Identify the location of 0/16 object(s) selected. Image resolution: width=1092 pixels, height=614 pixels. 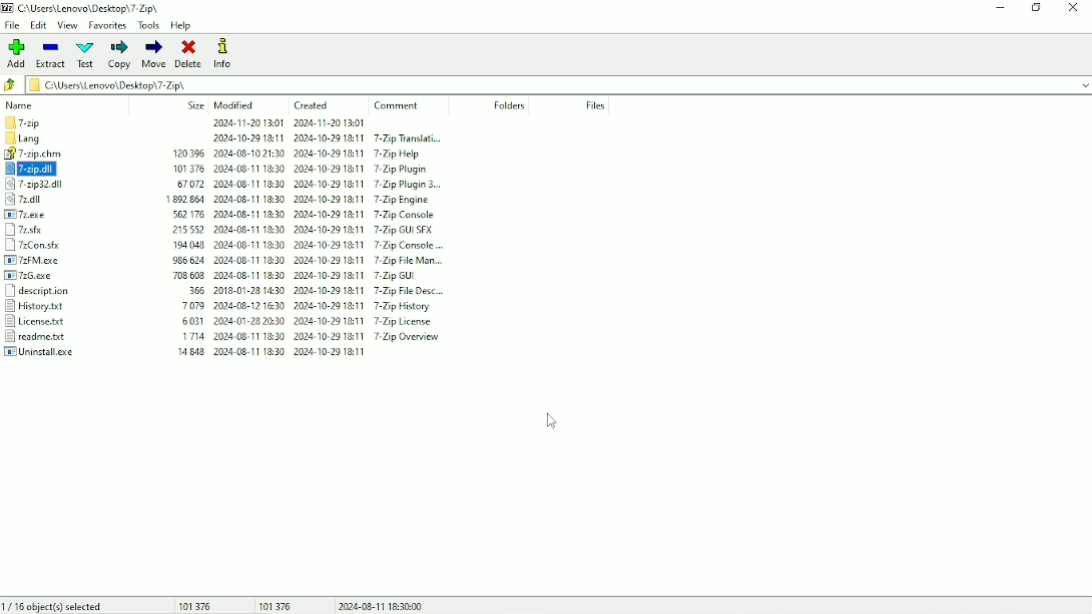
(54, 606).